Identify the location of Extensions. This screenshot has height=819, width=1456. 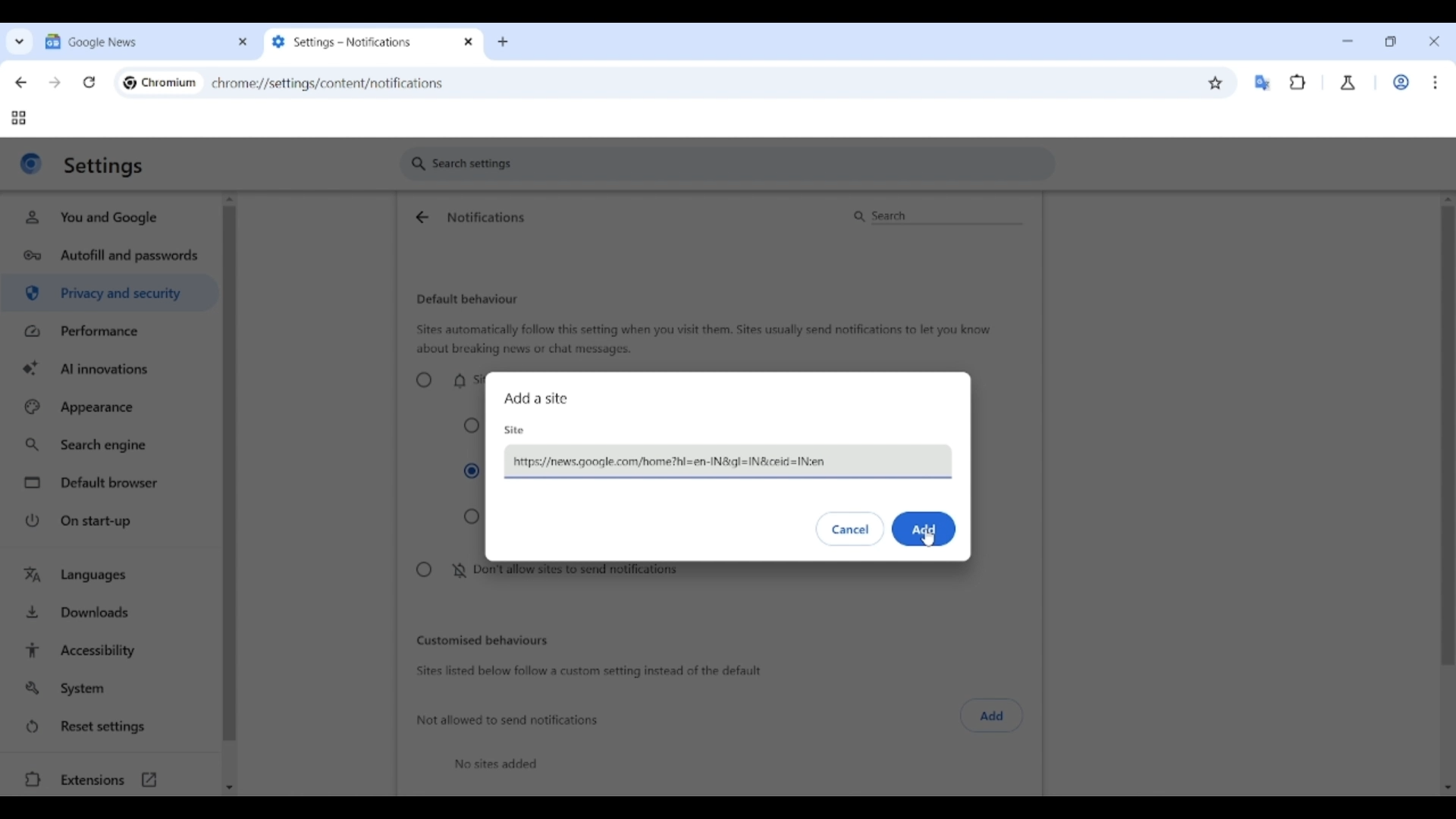
(108, 780).